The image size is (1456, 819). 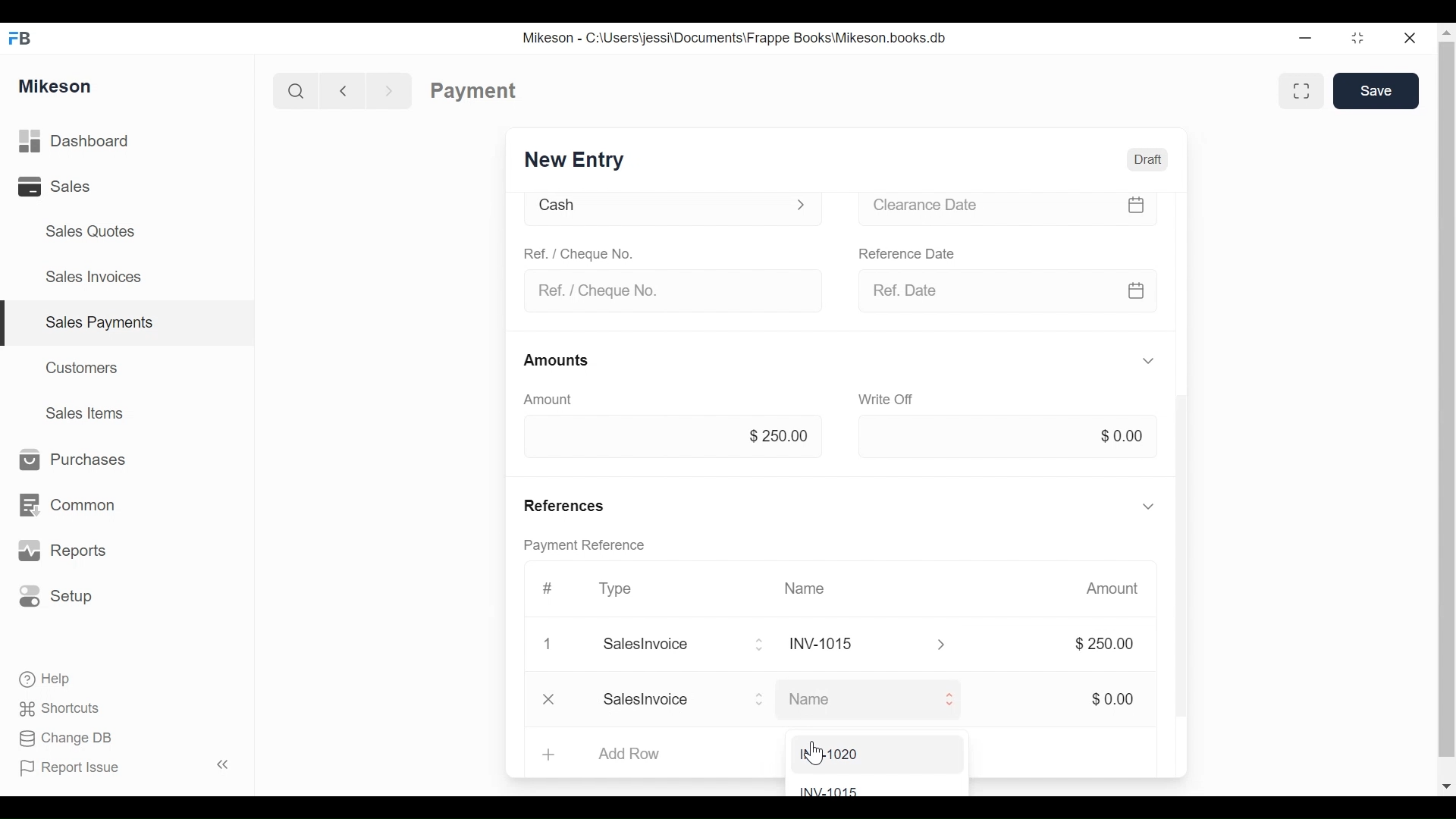 What do you see at coordinates (1303, 89) in the screenshot?
I see `Full width toggle` at bounding box center [1303, 89].